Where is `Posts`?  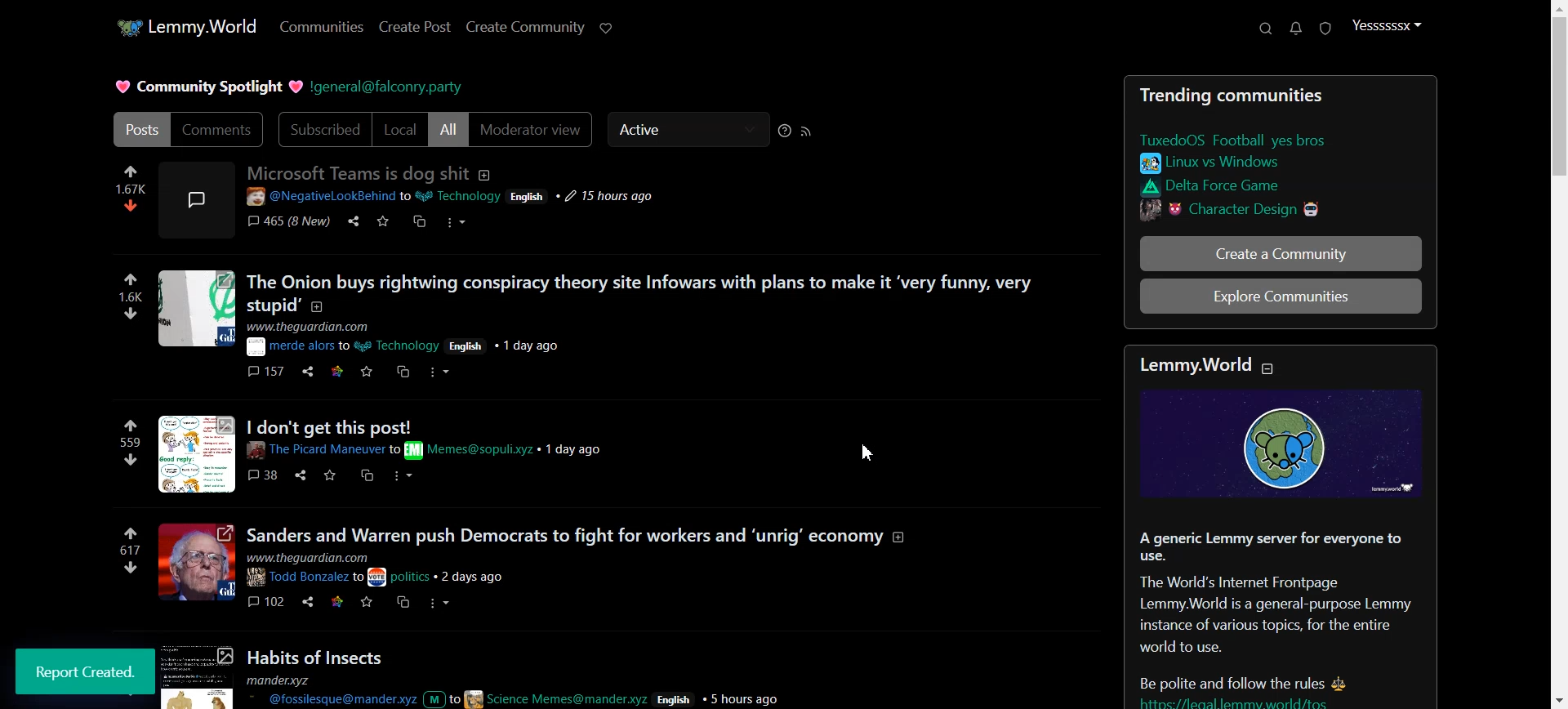 Posts is located at coordinates (140, 129).